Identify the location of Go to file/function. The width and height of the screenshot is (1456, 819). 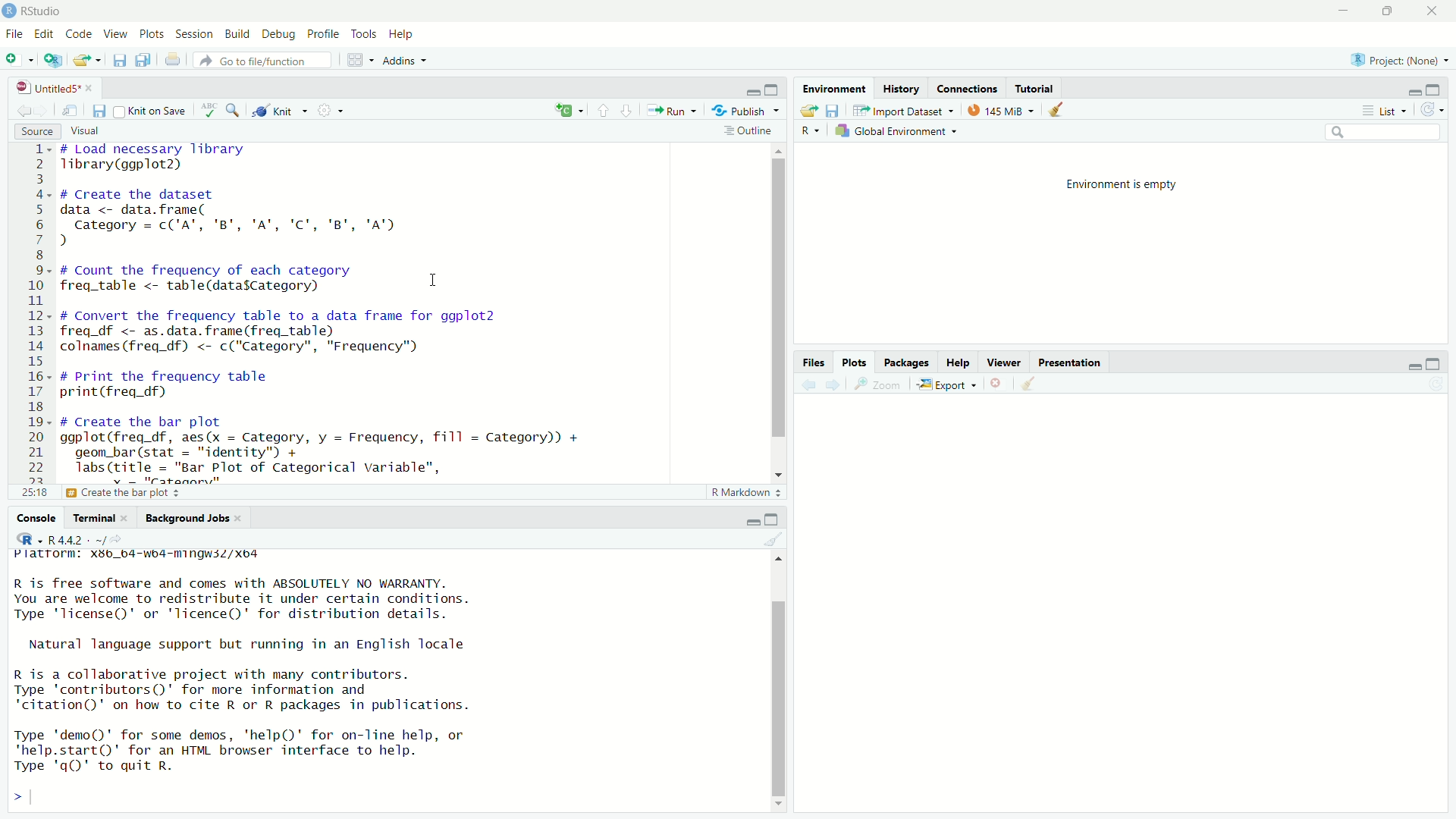
(266, 60).